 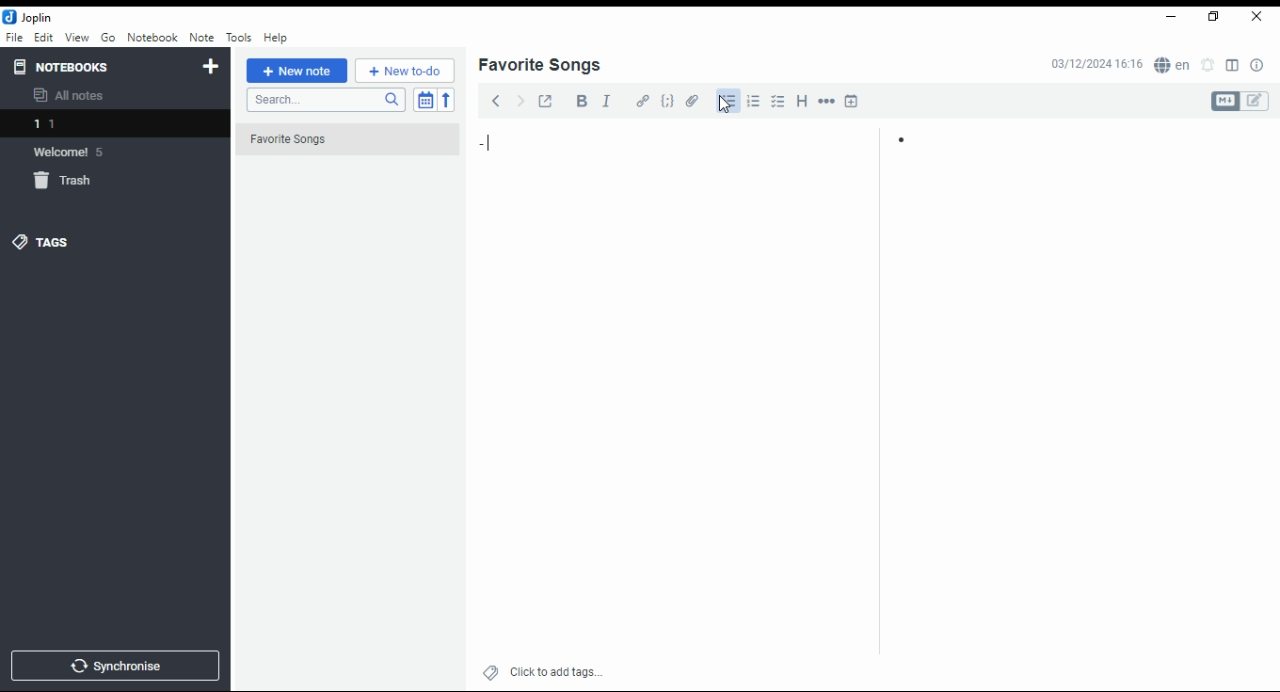 What do you see at coordinates (77, 38) in the screenshot?
I see `view` at bounding box center [77, 38].